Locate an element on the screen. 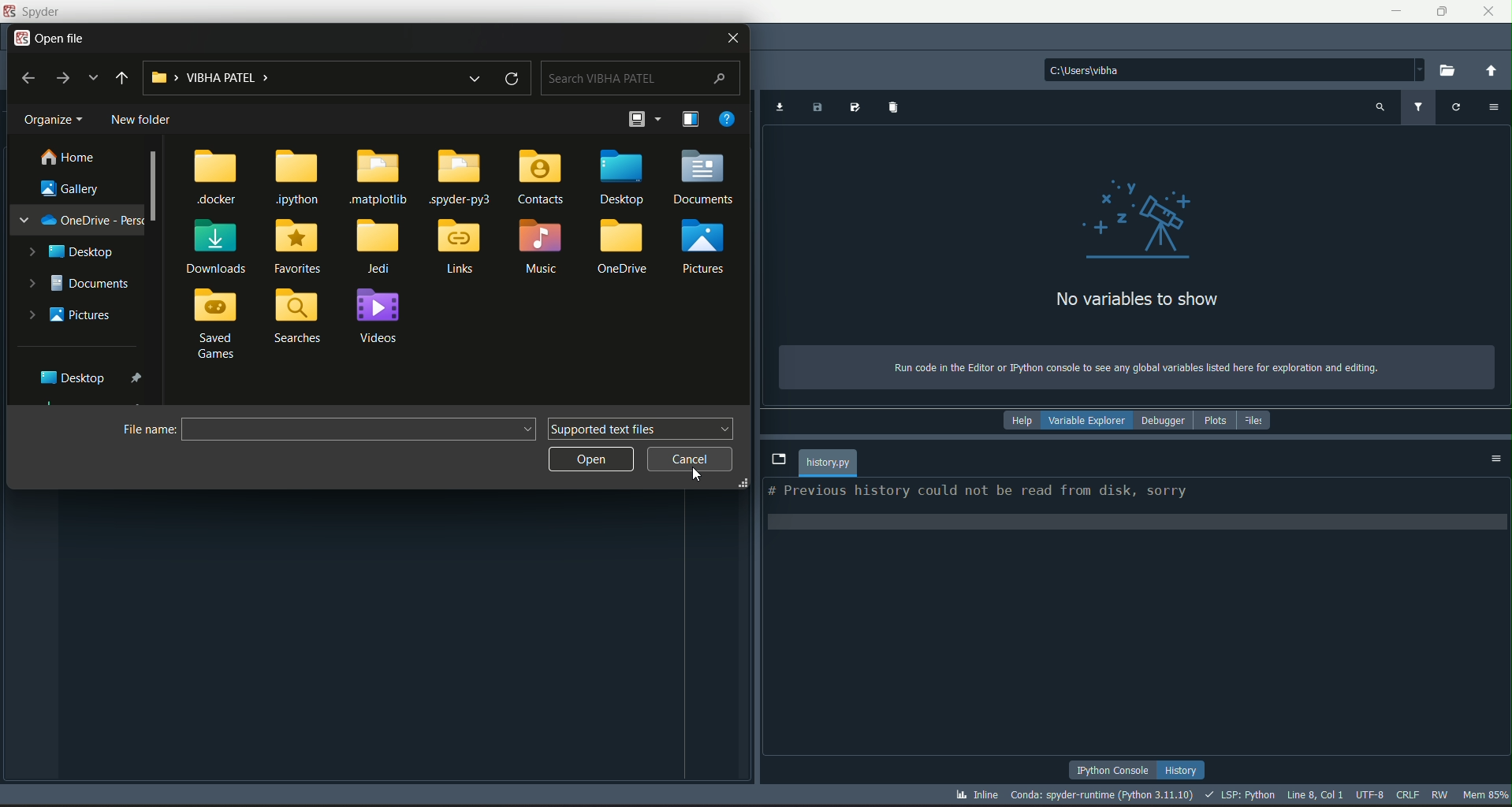 The image size is (1512, 807). options is located at coordinates (1492, 109).